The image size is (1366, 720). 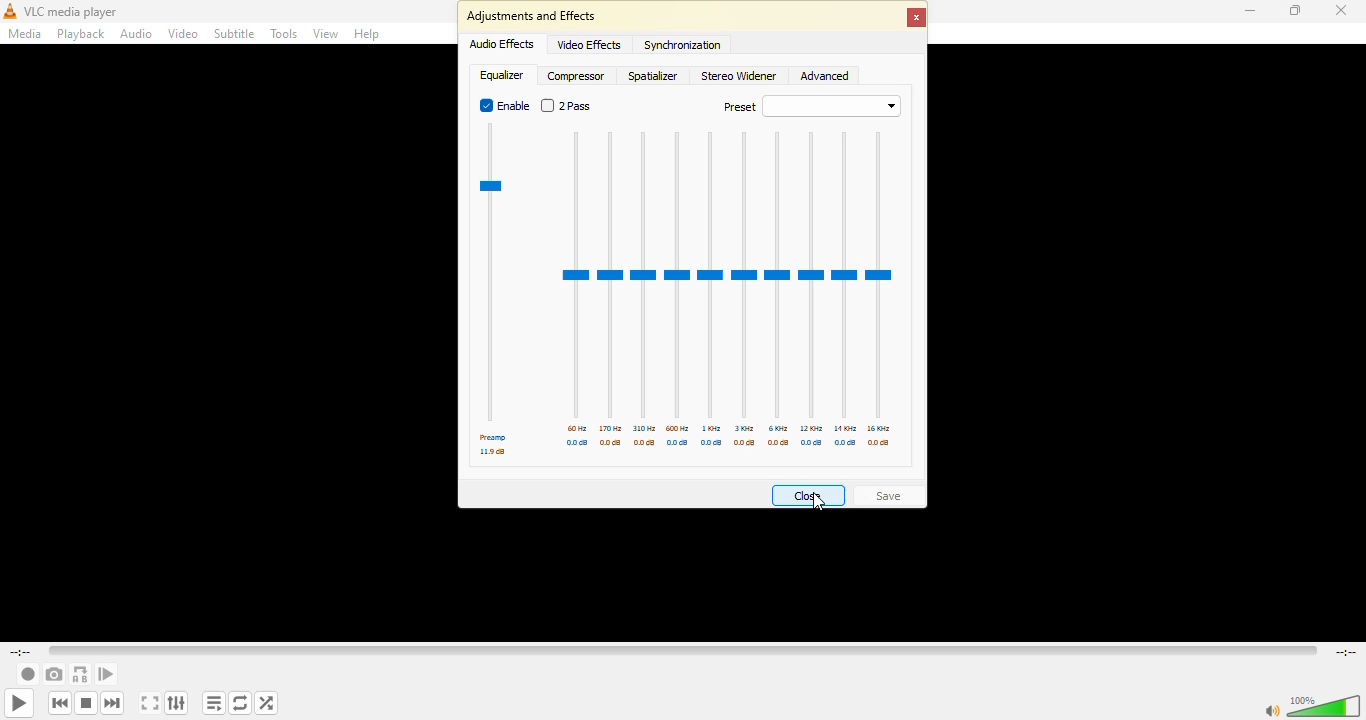 What do you see at coordinates (1269, 712) in the screenshot?
I see `mute` at bounding box center [1269, 712].